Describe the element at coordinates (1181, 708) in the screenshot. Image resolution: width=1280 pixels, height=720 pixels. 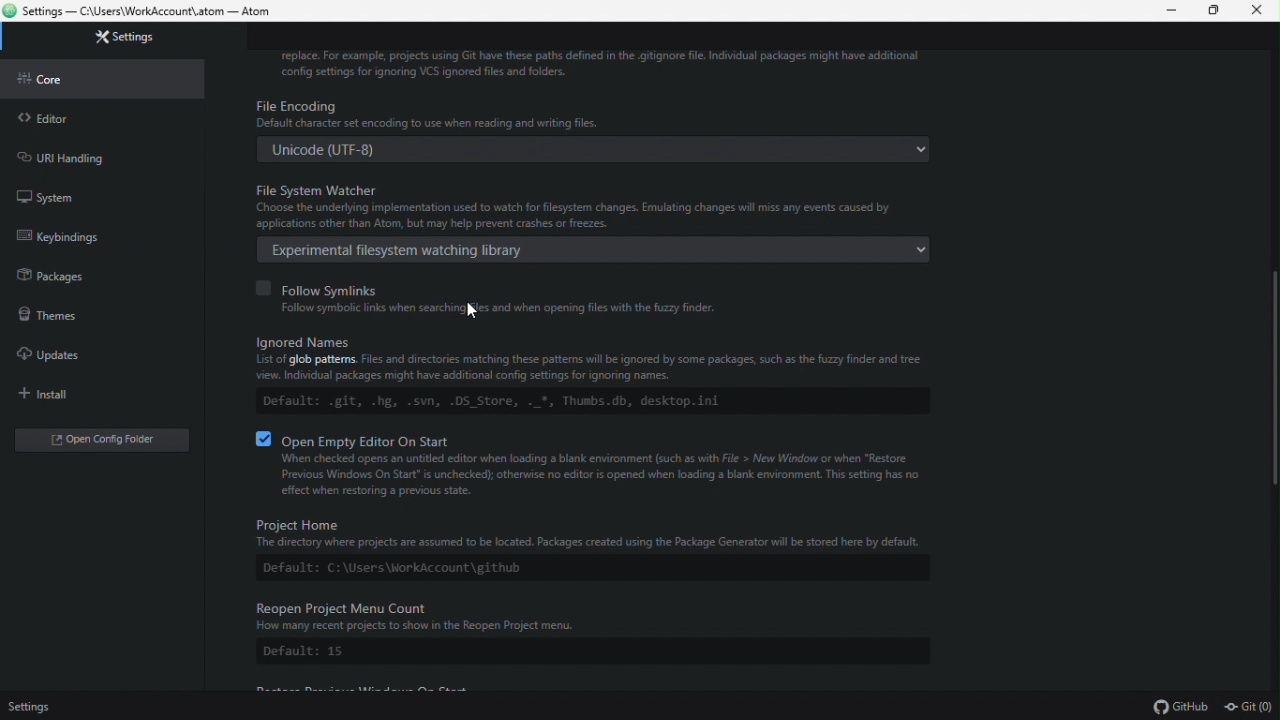
I see `github` at that location.